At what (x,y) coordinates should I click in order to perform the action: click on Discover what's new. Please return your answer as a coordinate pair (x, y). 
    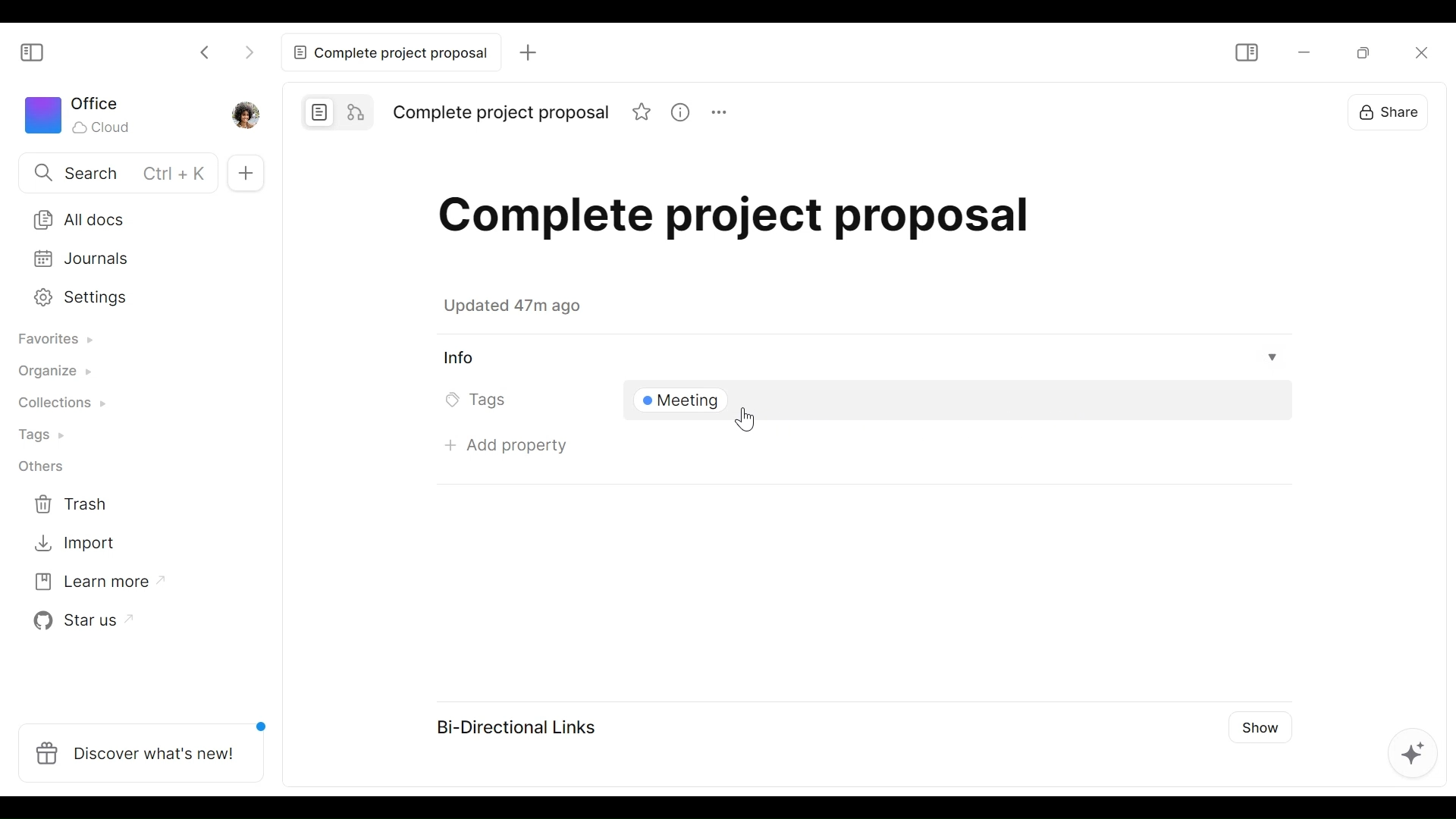
    Looking at the image, I should click on (142, 751).